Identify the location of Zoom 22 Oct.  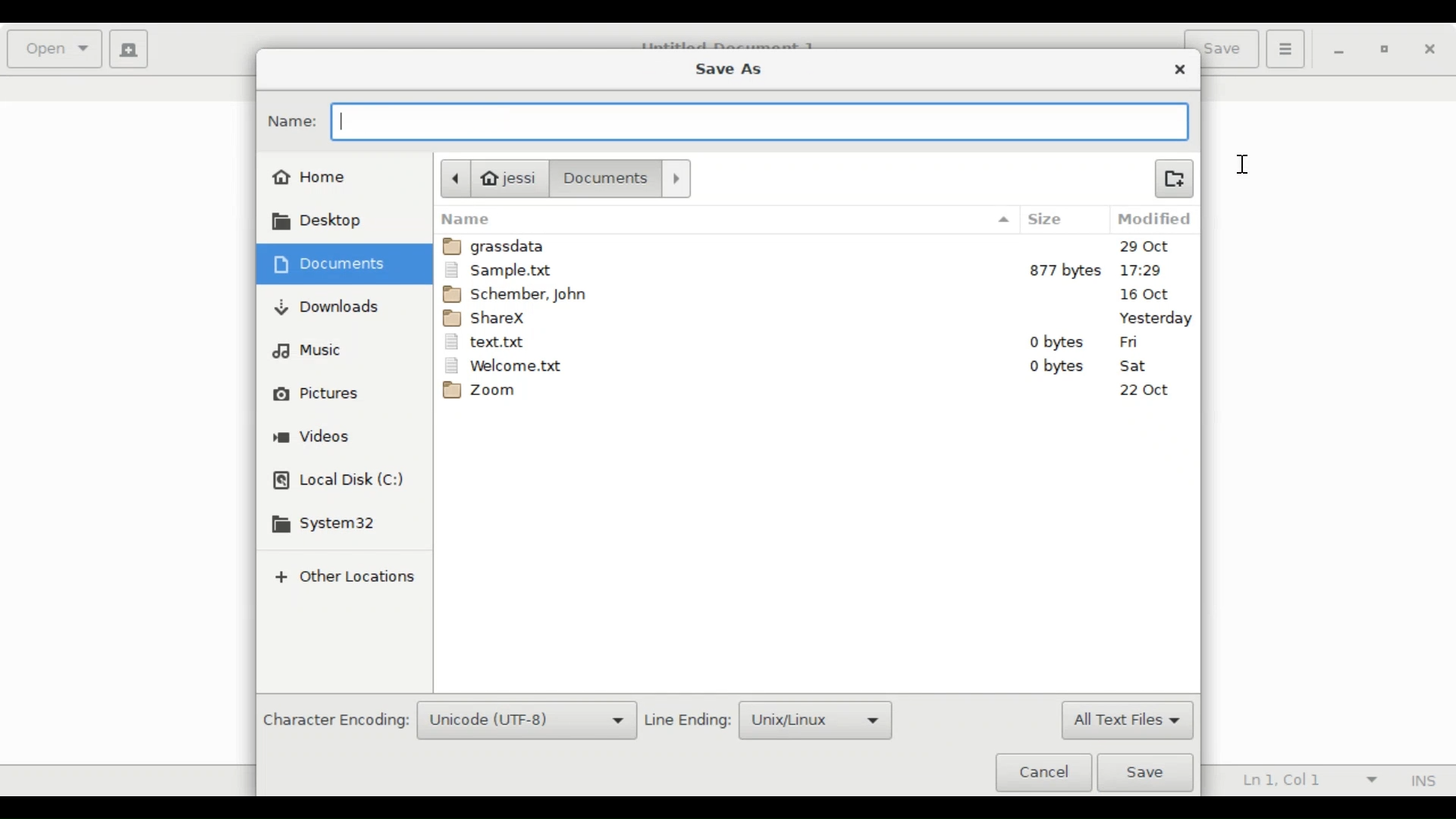
(818, 393).